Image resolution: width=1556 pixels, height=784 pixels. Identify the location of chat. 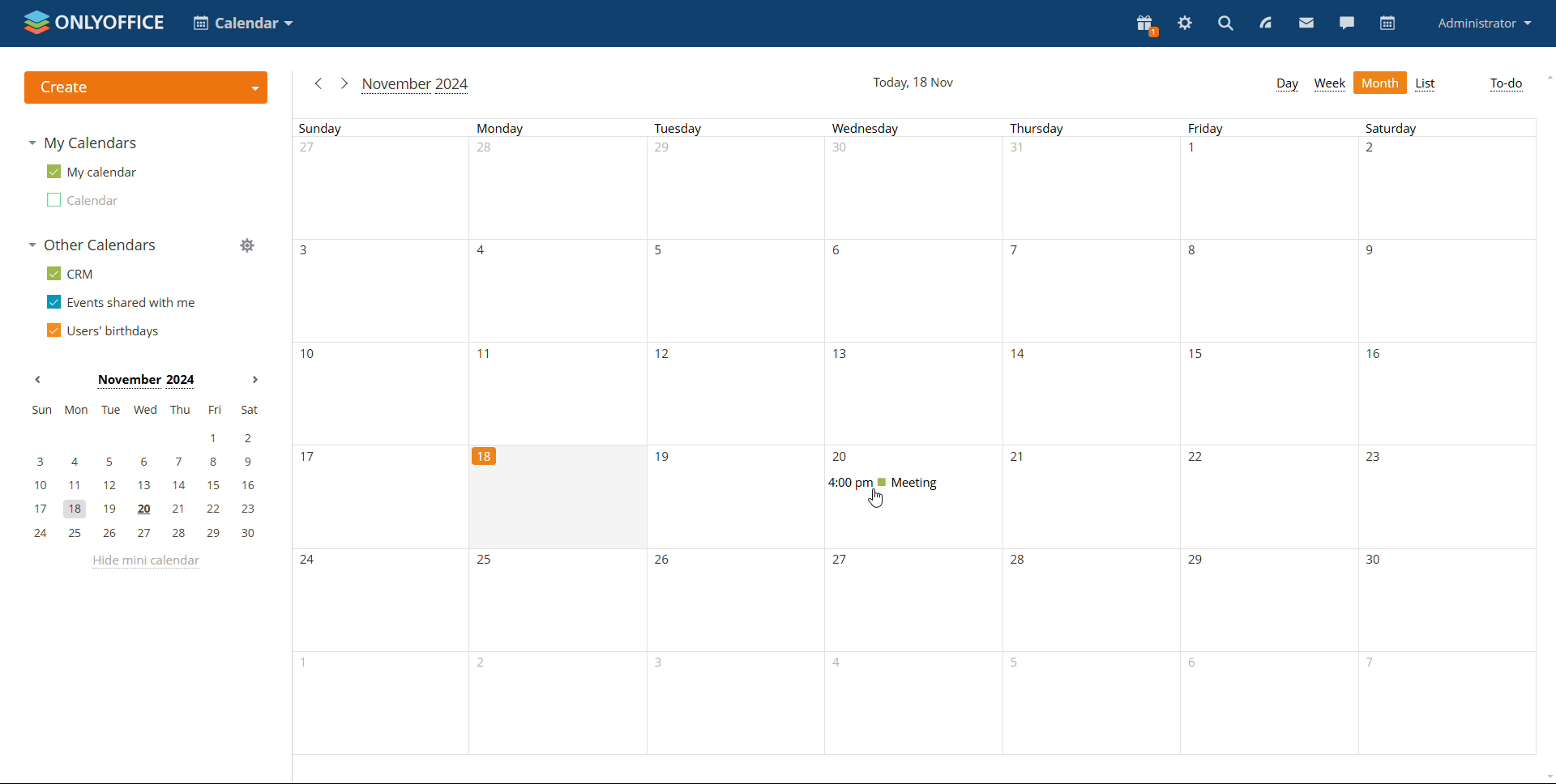
(1346, 23).